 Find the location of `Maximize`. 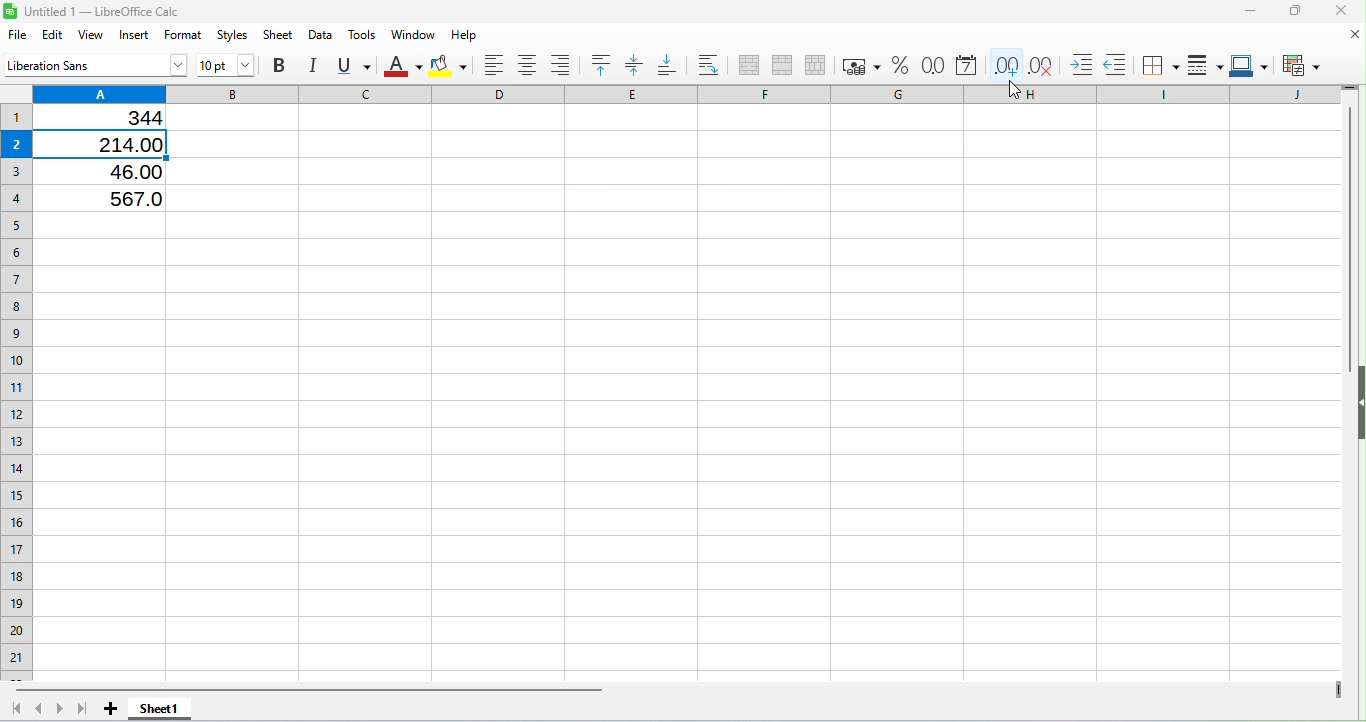

Maximize is located at coordinates (1294, 12).